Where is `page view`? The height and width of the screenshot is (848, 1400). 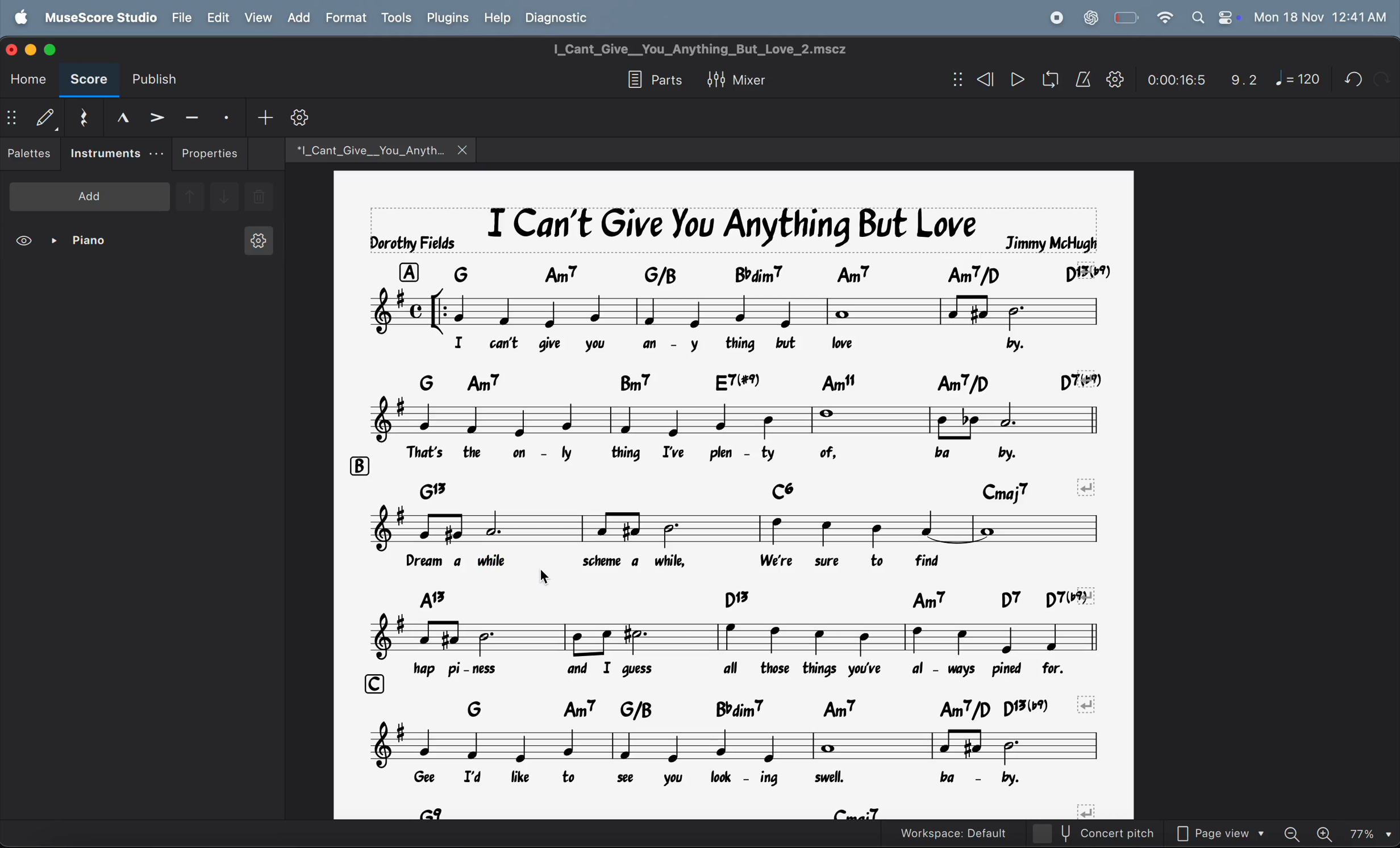
page view is located at coordinates (1218, 831).